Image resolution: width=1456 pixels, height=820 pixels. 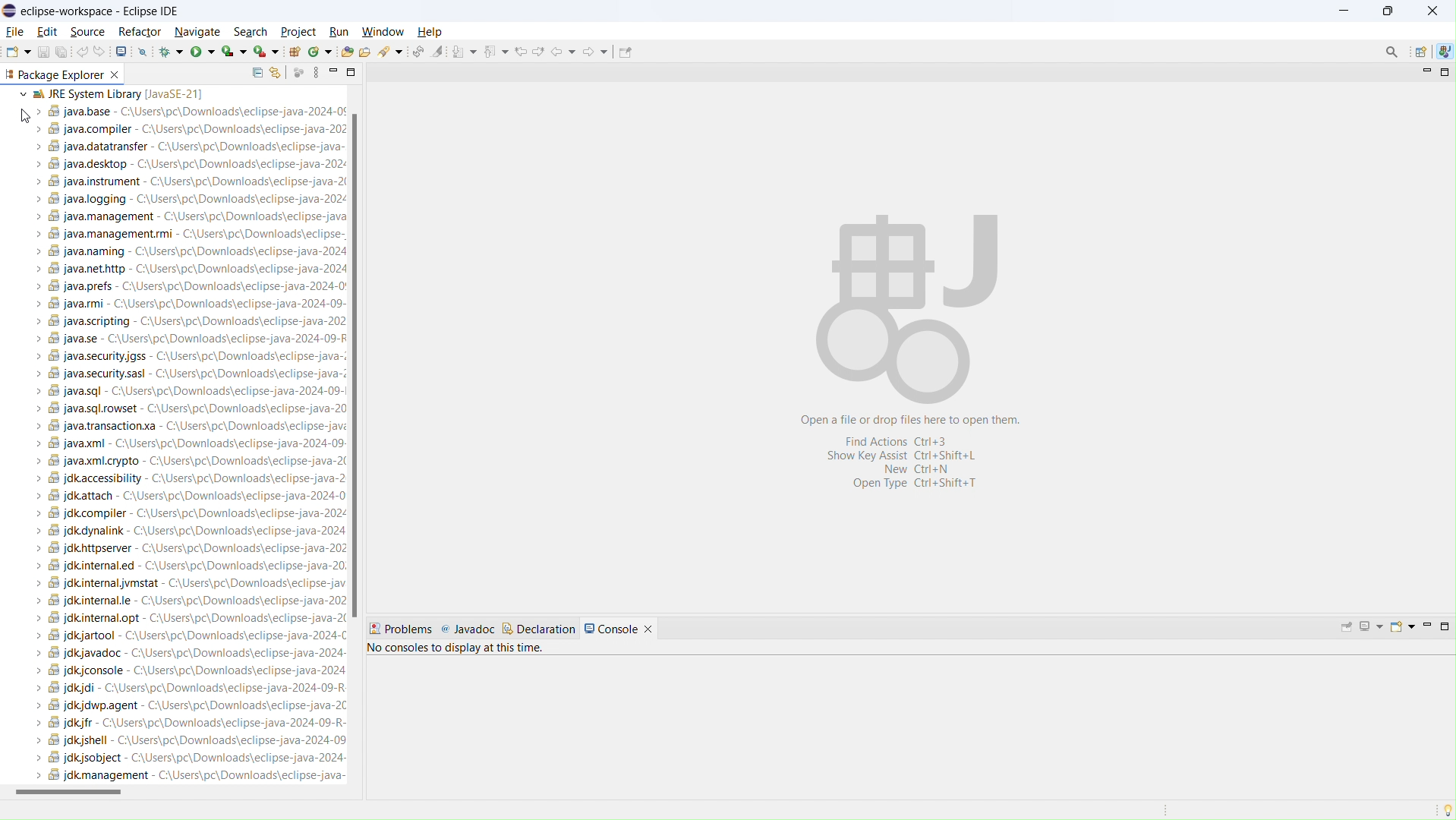 What do you see at coordinates (140, 31) in the screenshot?
I see `Refactor` at bounding box center [140, 31].